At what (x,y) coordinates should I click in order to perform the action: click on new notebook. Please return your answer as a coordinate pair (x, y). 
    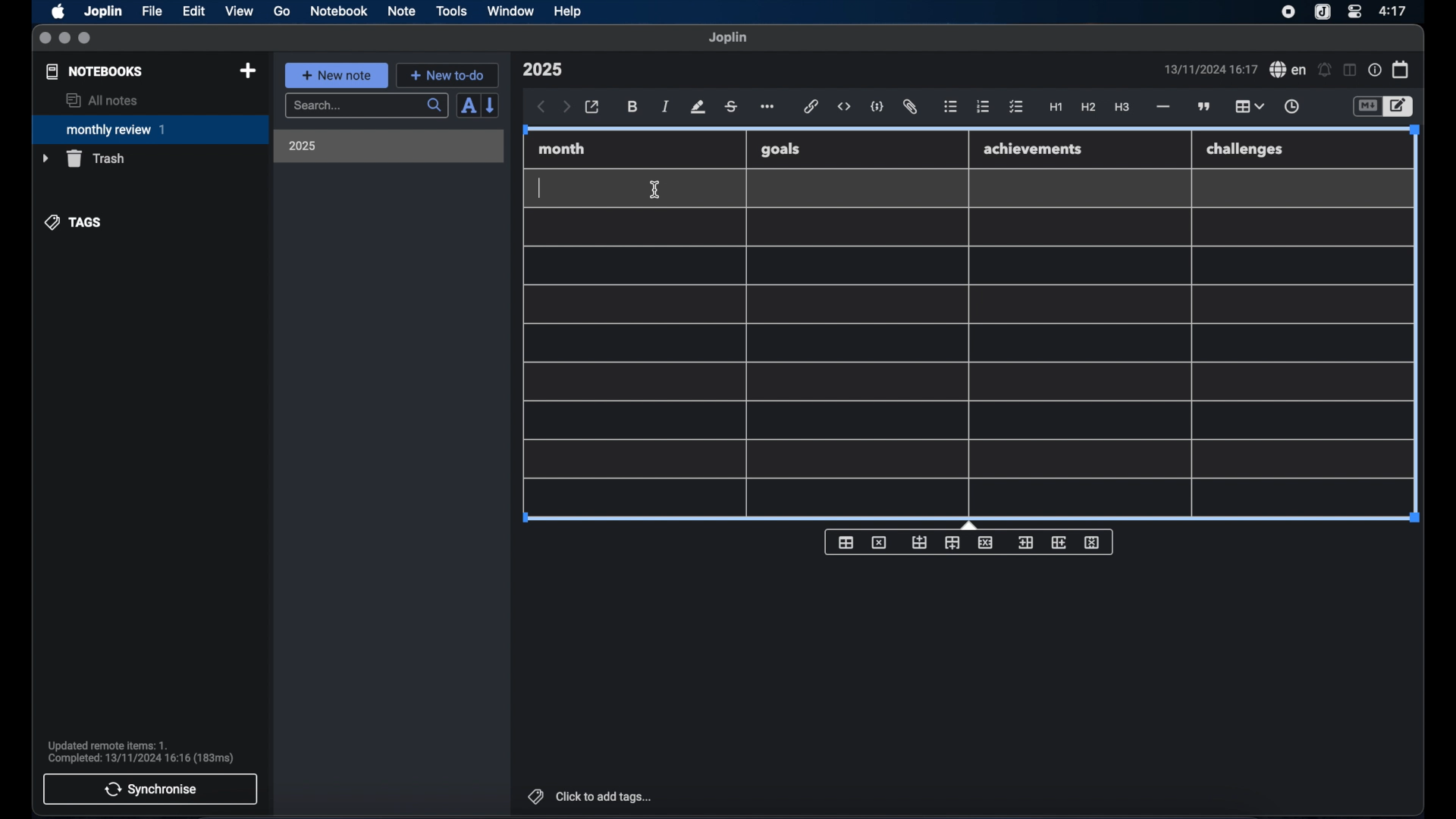
    Looking at the image, I should click on (247, 71).